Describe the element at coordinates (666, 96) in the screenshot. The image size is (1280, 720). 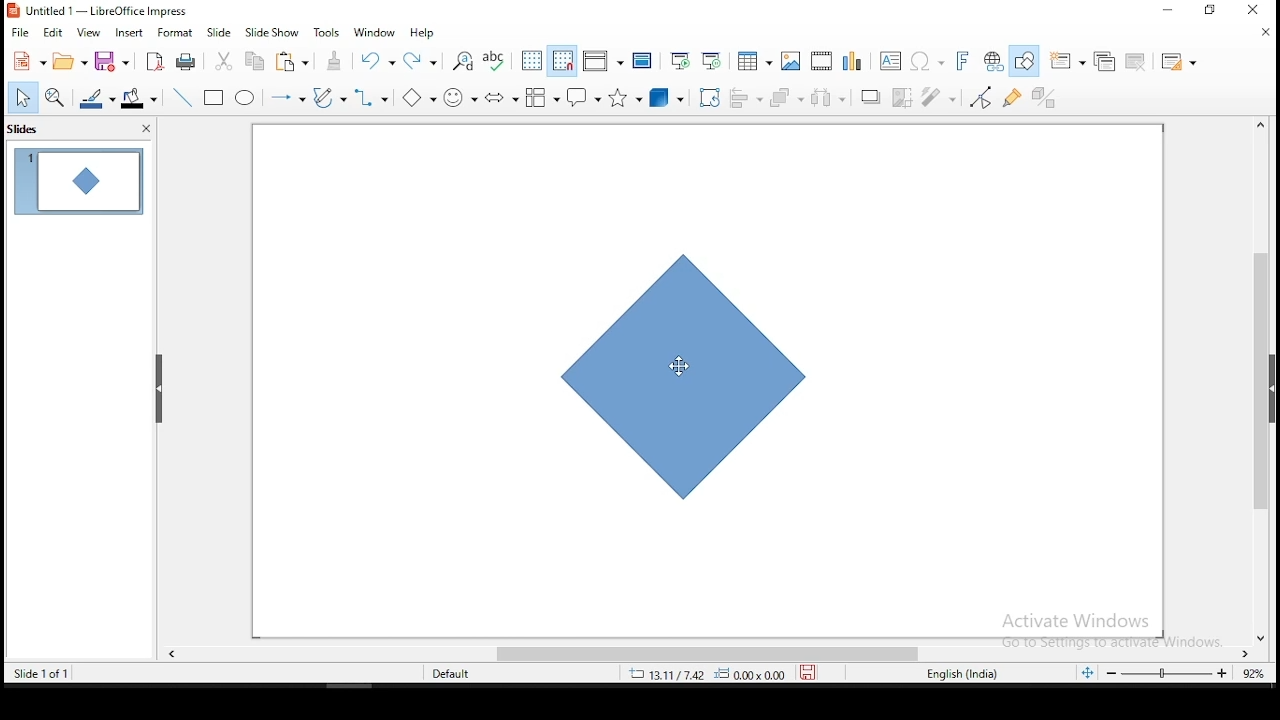
I see `3D objects` at that location.